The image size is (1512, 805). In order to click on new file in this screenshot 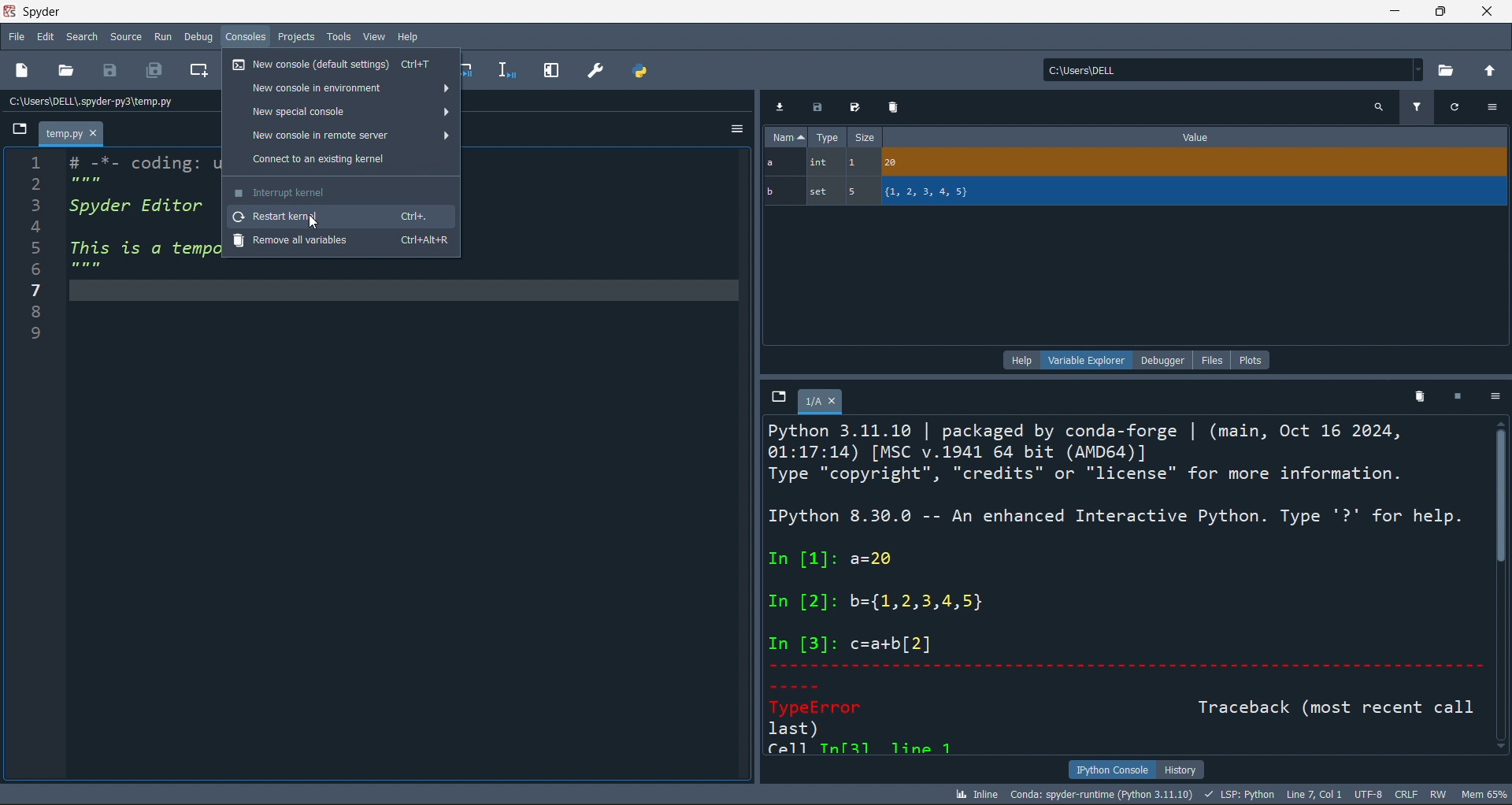, I will do `click(22, 72)`.